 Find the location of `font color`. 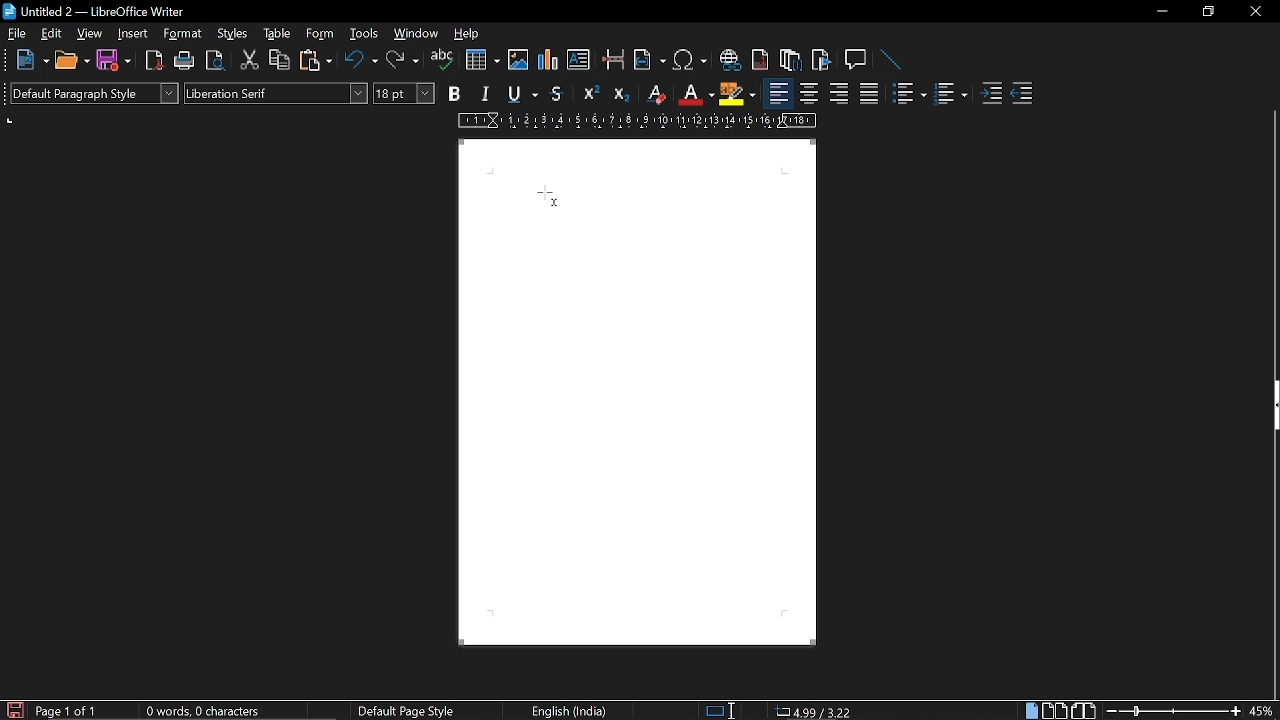

font color is located at coordinates (697, 96).